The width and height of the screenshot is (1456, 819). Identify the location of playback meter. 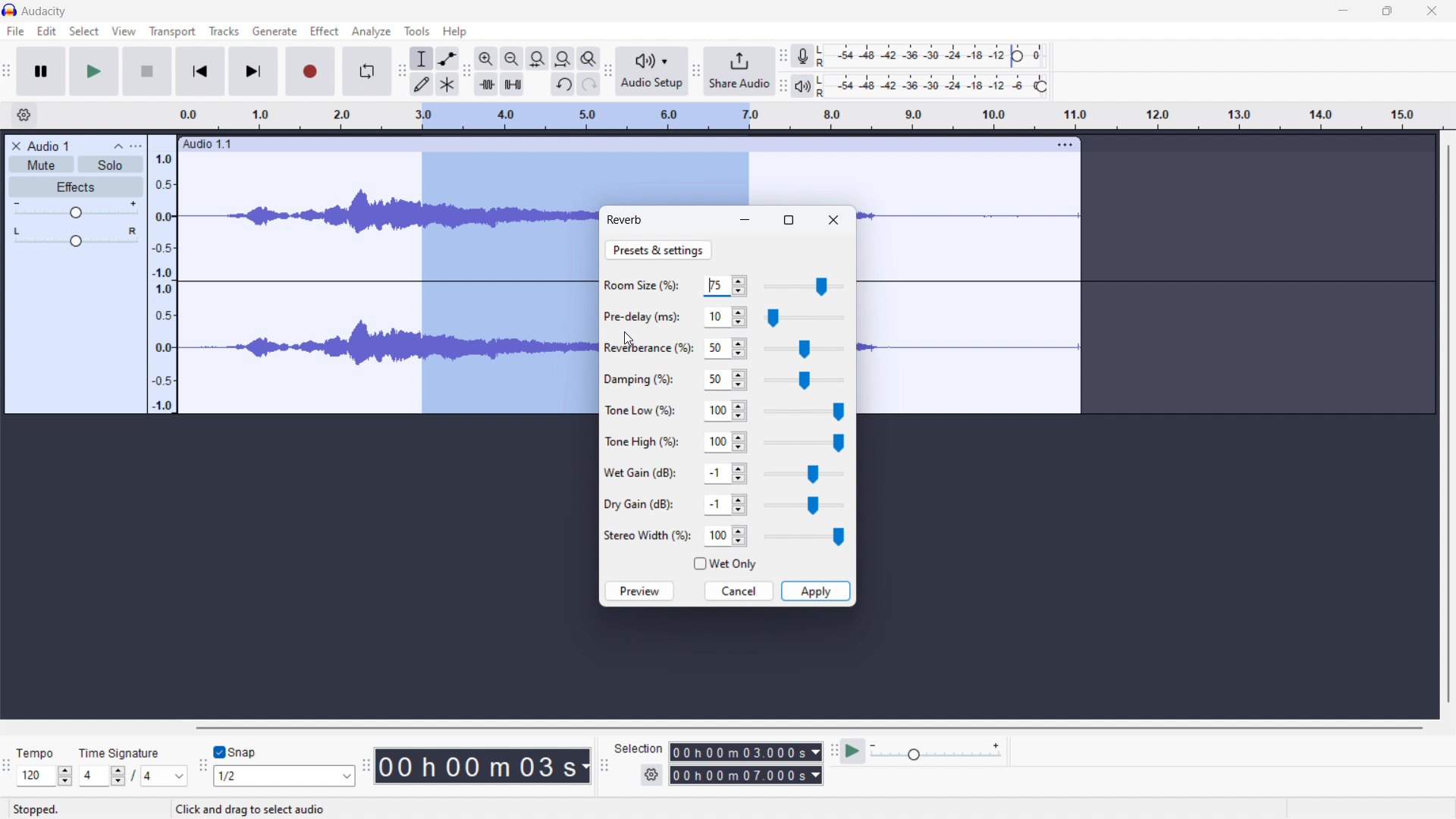
(804, 86).